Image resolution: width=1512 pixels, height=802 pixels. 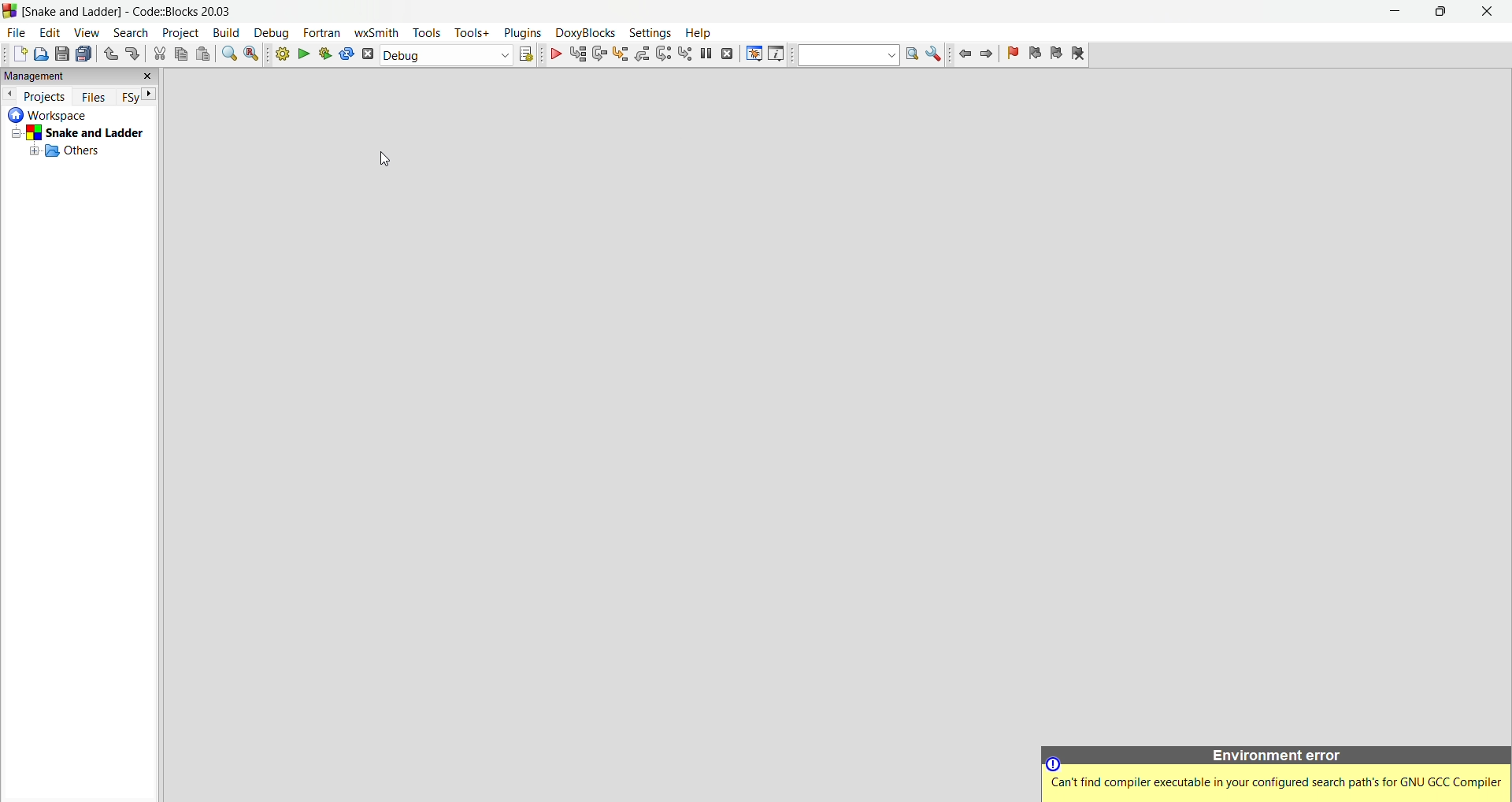 I want to click on cut, so click(x=159, y=54).